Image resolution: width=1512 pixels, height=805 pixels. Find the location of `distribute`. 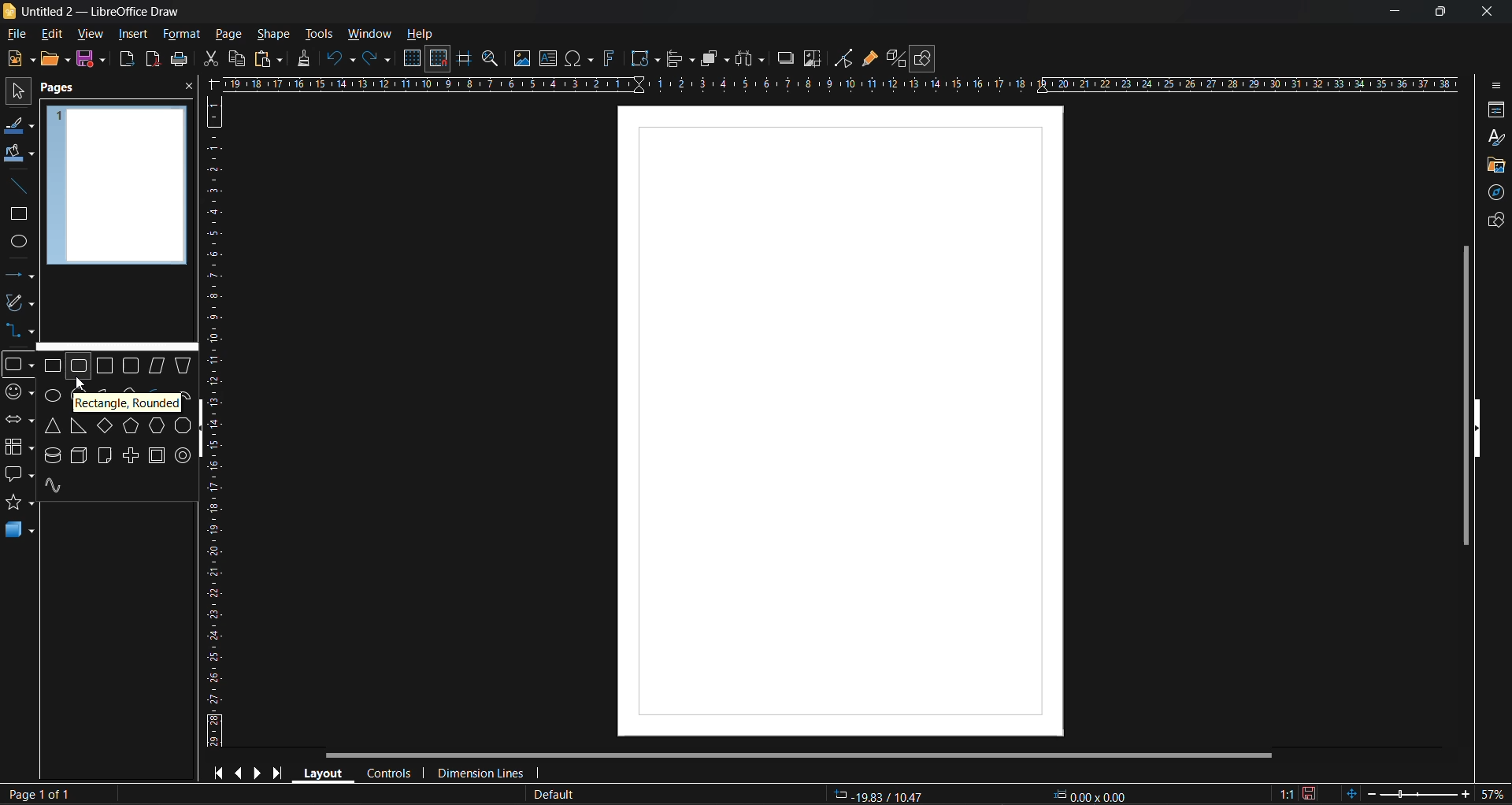

distribute is located at coordinates (752, 59).